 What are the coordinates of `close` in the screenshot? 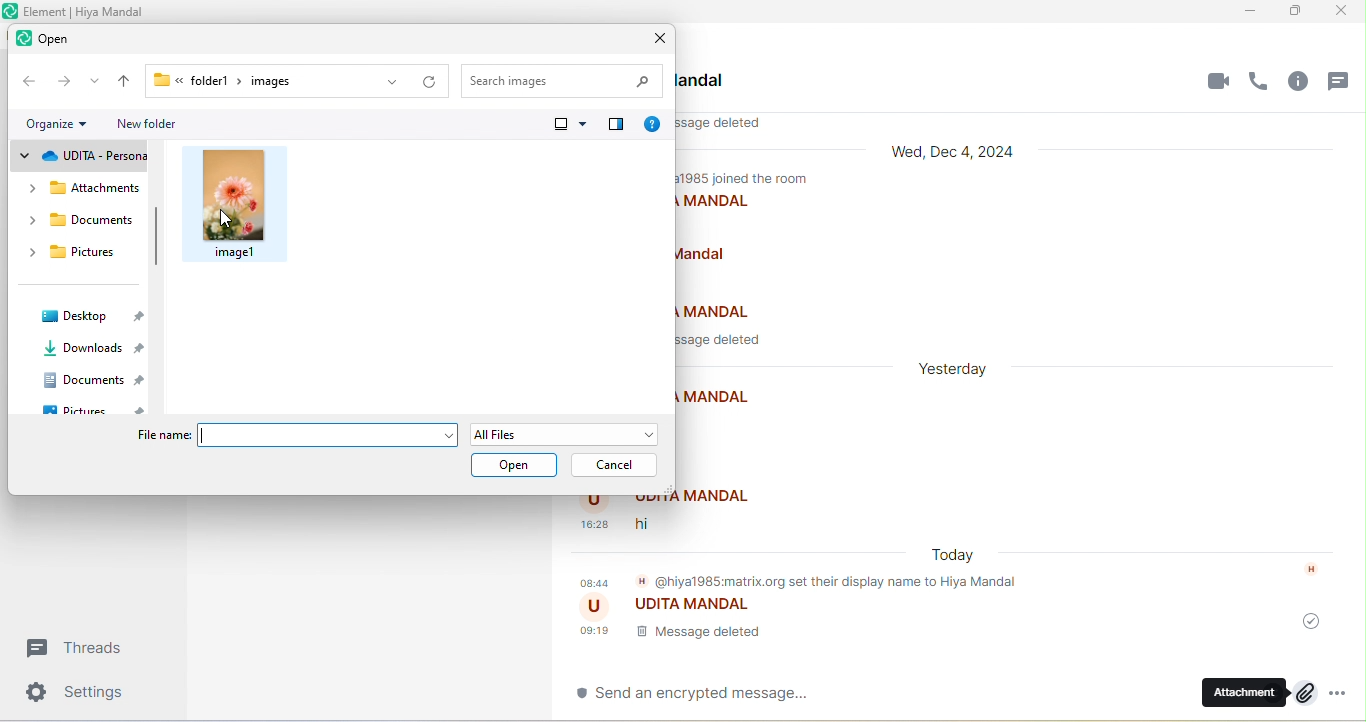 It's located at (1347, 10).